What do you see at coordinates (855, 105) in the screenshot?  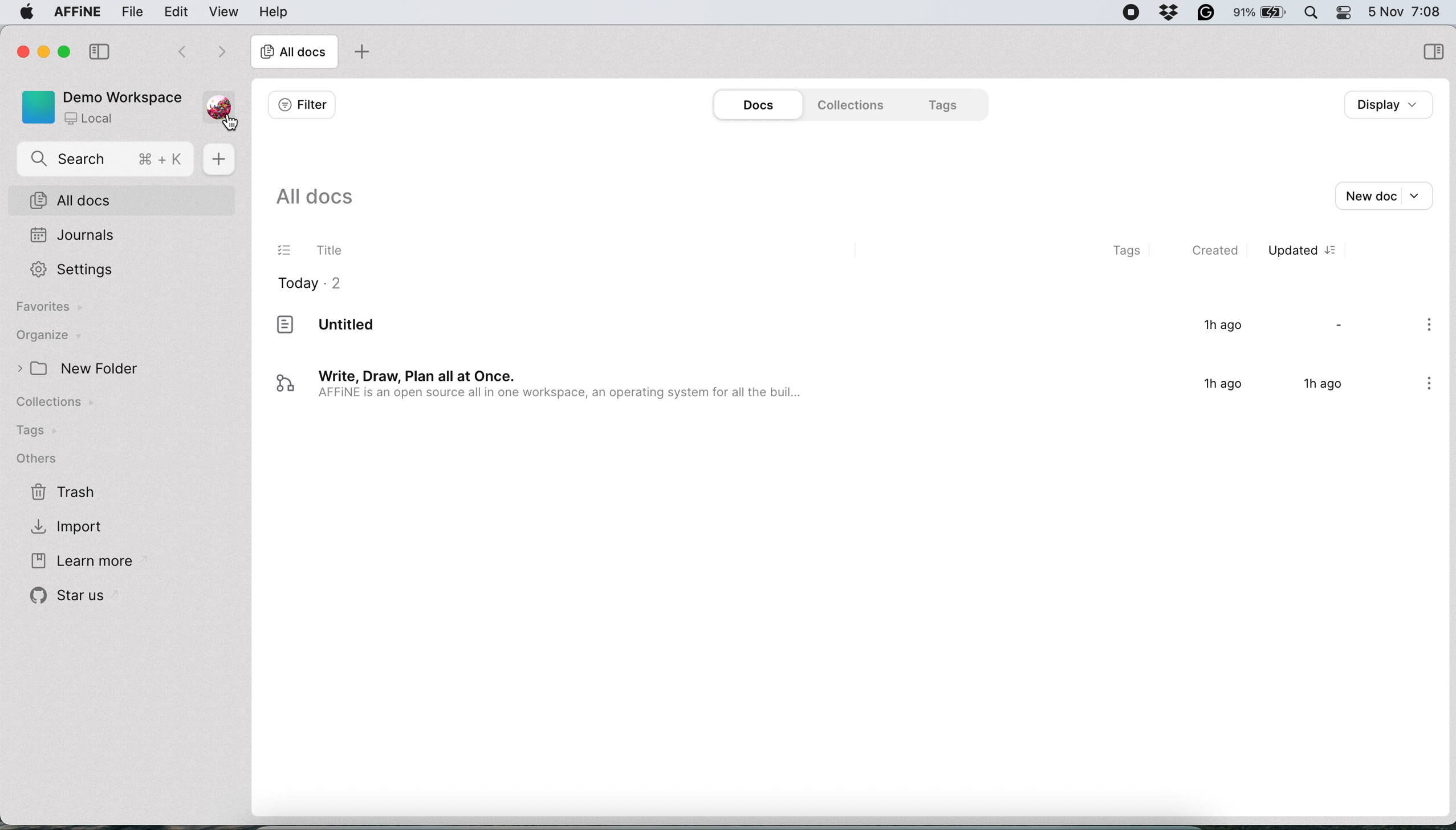 I see `collections` at bounding box center [855, 105].